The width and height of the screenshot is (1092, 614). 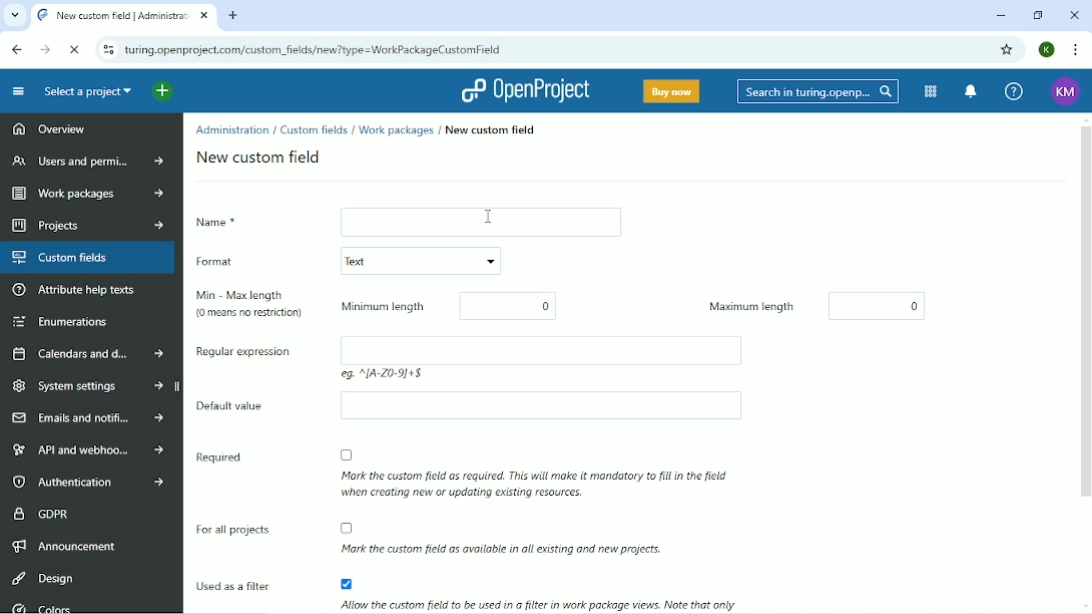 I want to click on Maximum length, so click(x=747, y=306).